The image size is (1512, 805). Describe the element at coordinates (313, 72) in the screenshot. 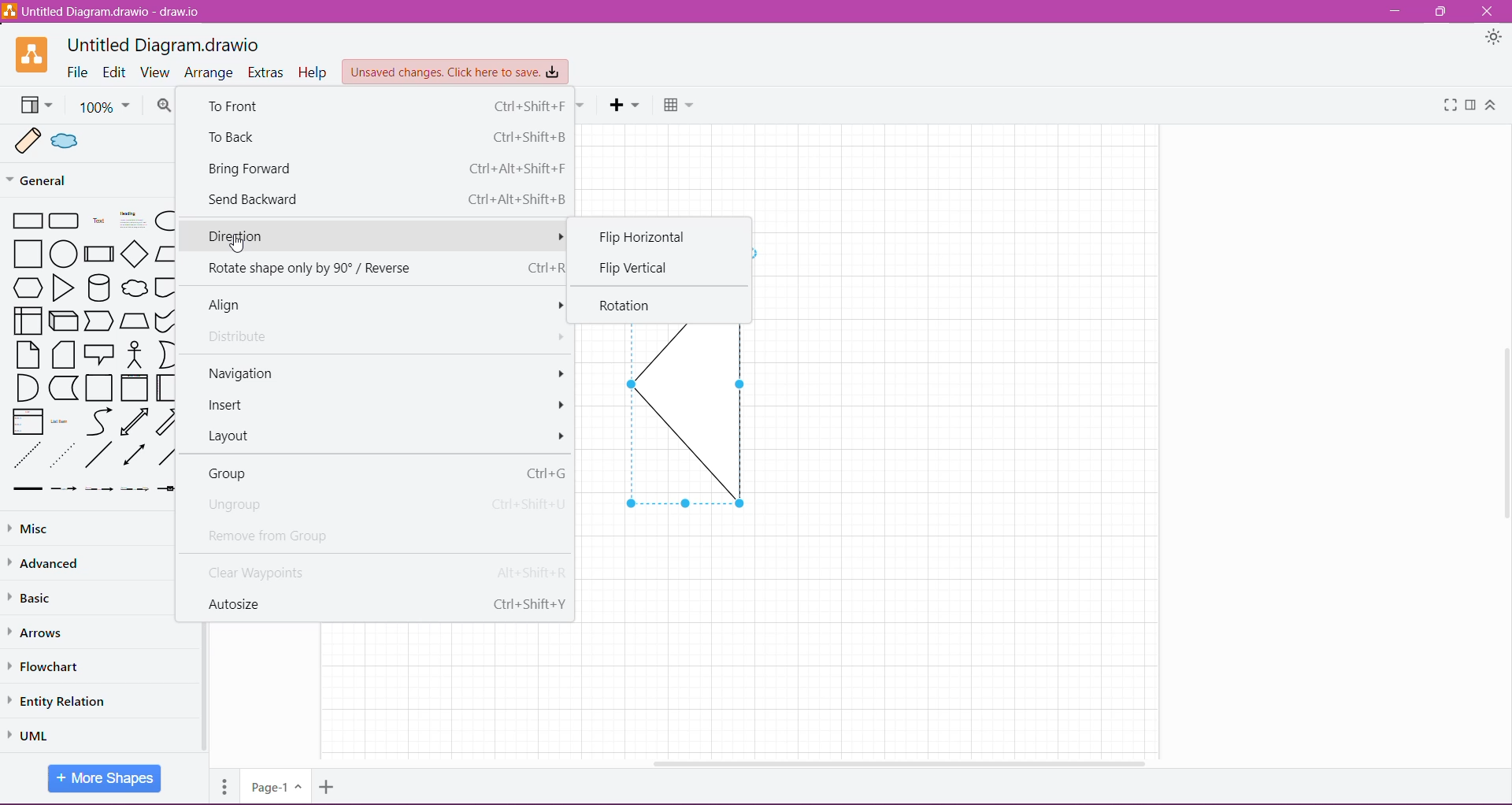

I see `Help` at that location.